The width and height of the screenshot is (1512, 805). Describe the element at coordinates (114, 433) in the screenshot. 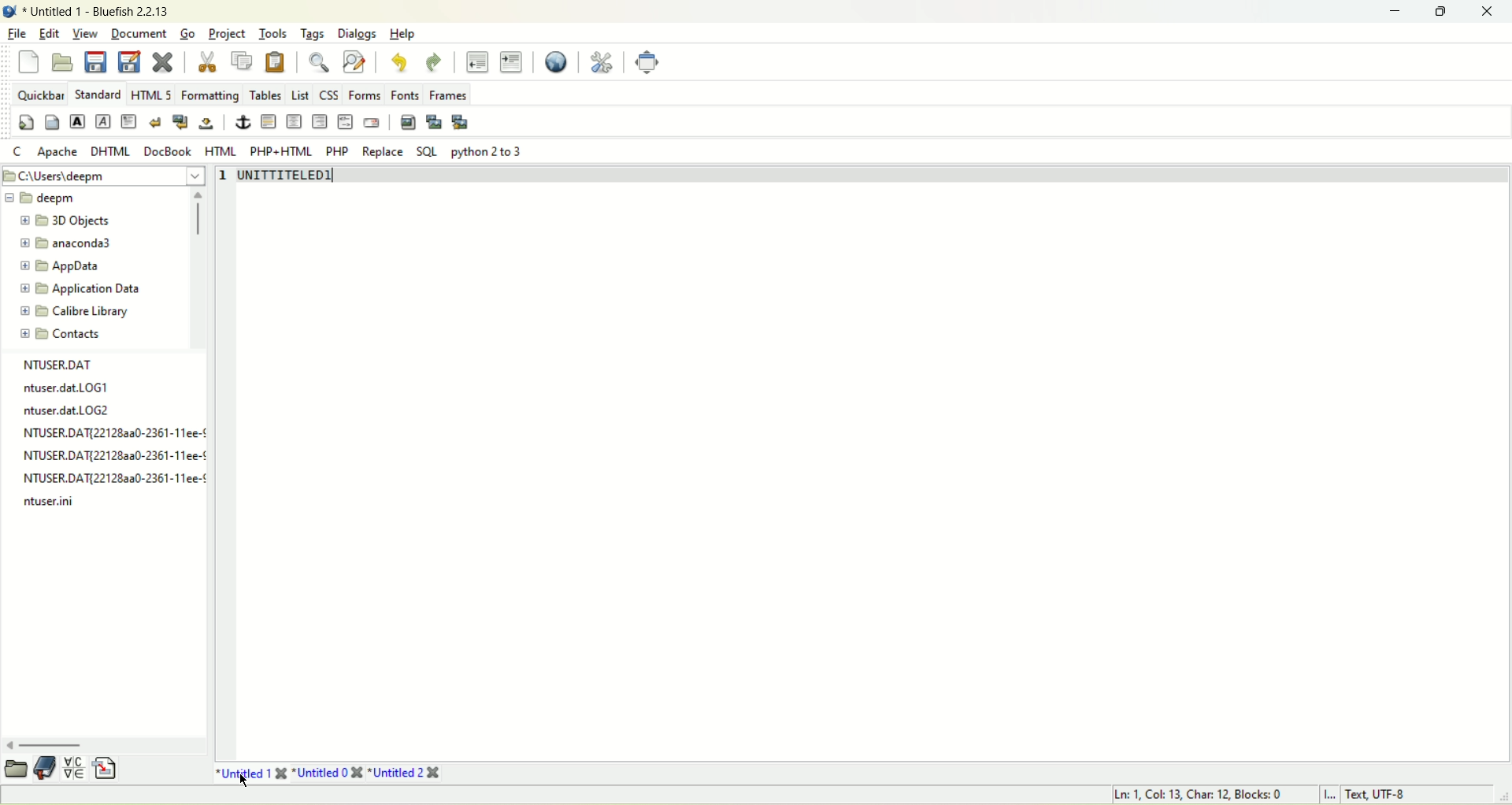

I see `` at that location.